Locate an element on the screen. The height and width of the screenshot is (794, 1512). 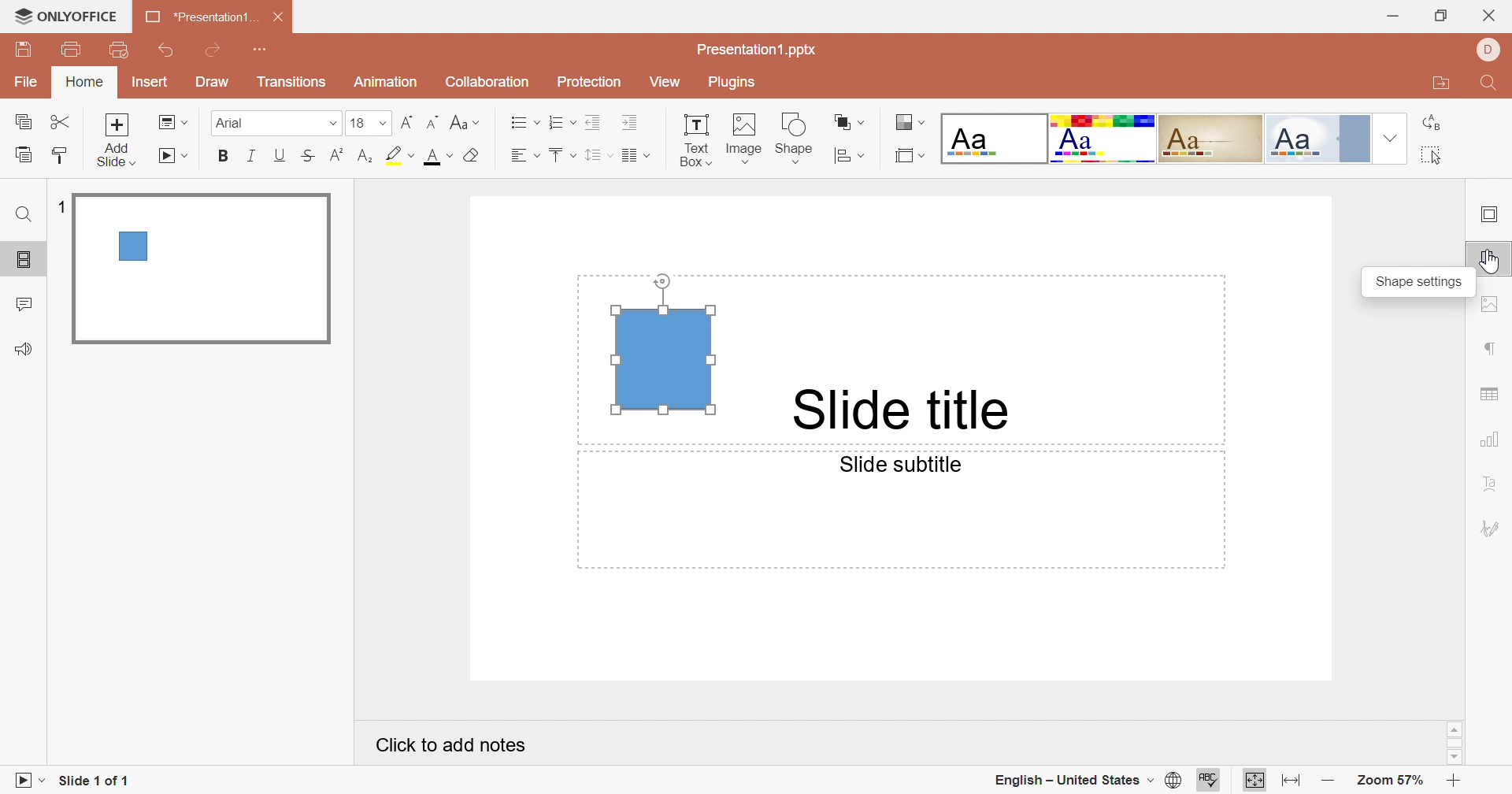
Decrement font size is located at coordinates (432, 123).